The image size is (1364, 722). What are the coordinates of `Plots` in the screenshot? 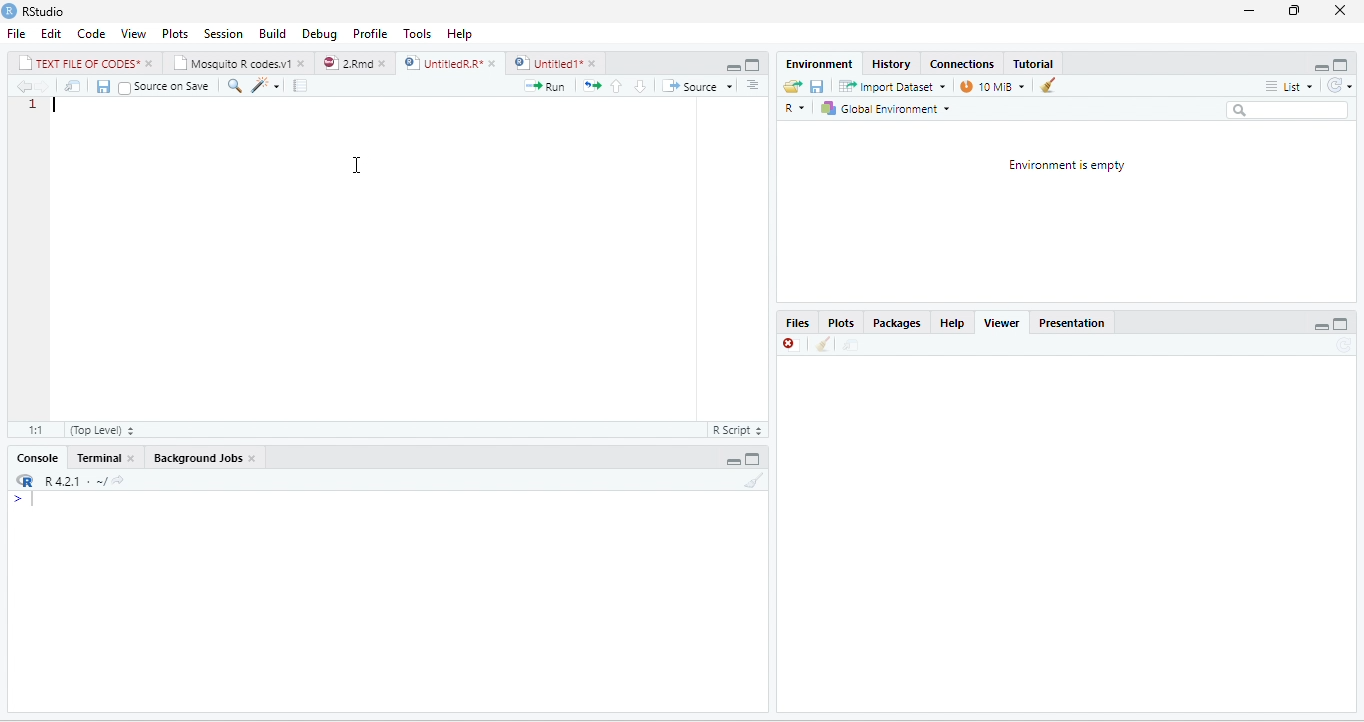 It's located at (175, 32).